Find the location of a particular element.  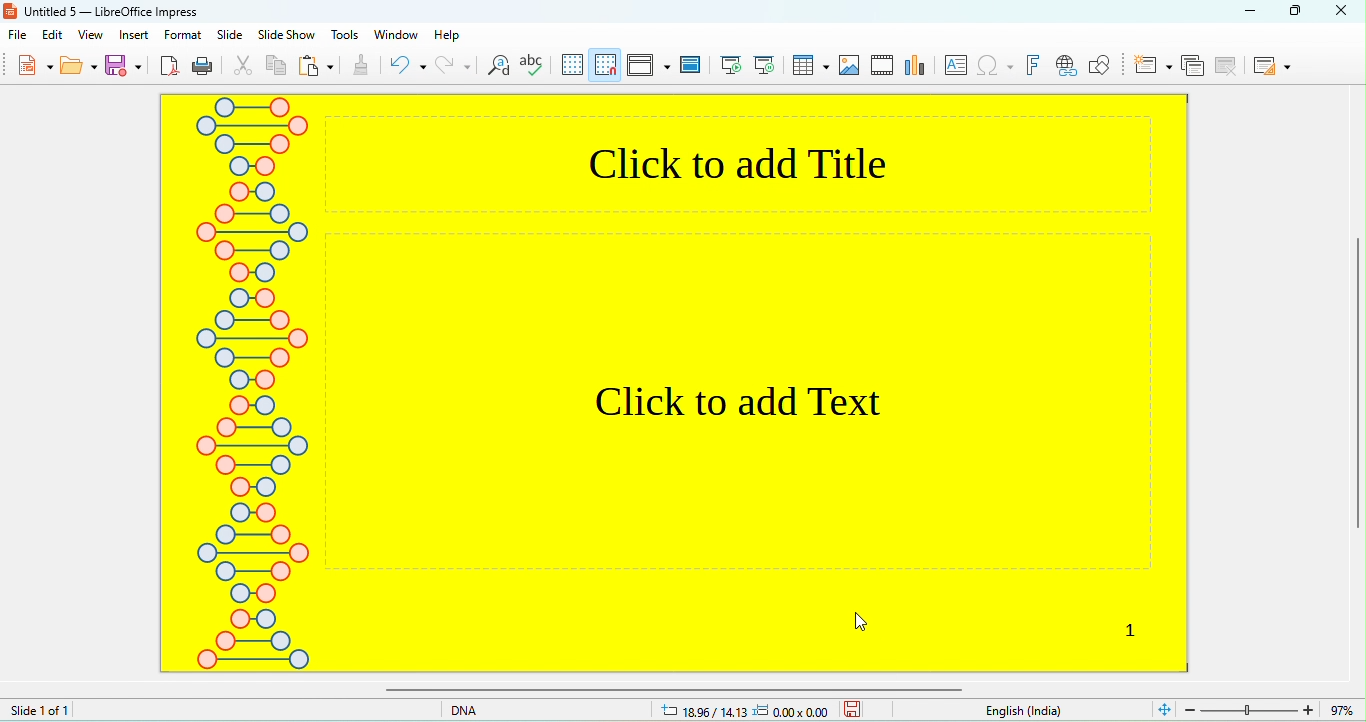

DNA is located at coordinates (492, 709).